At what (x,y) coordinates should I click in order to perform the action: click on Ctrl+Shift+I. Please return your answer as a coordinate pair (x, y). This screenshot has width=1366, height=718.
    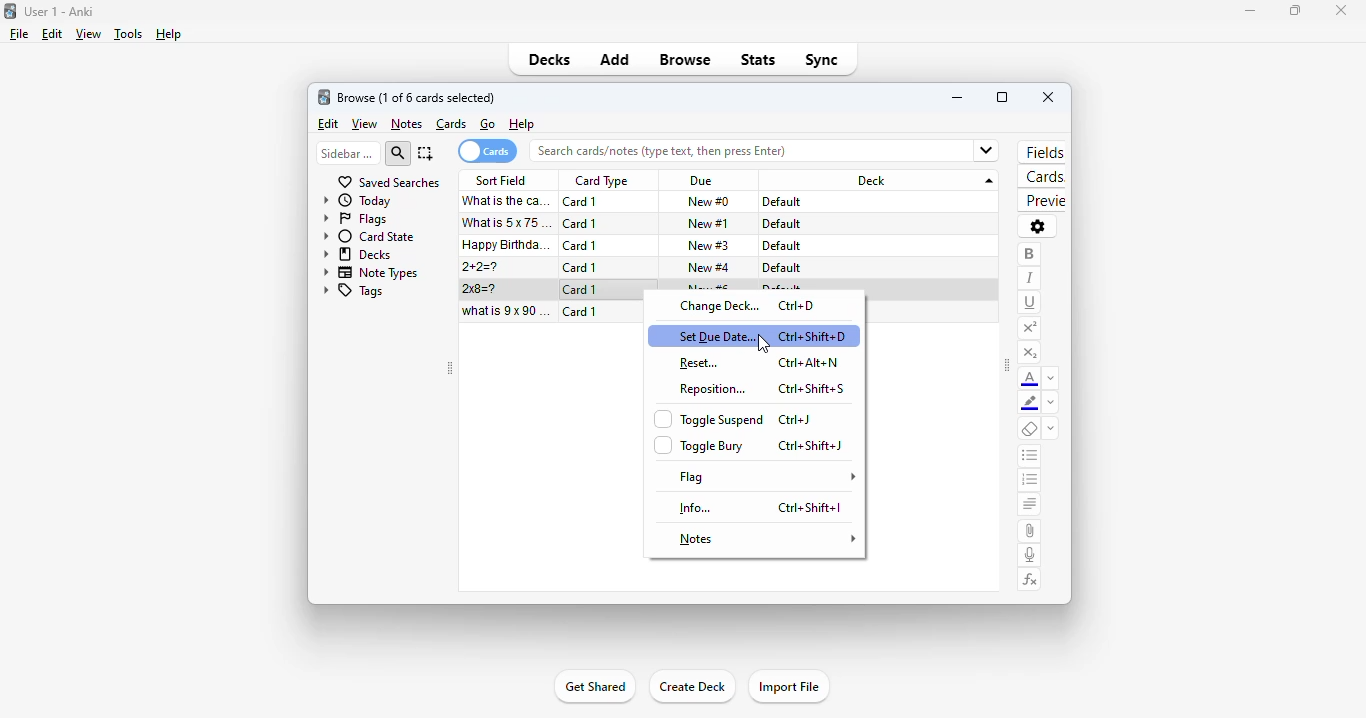
    Looking at the image, I should click on (809, 507).